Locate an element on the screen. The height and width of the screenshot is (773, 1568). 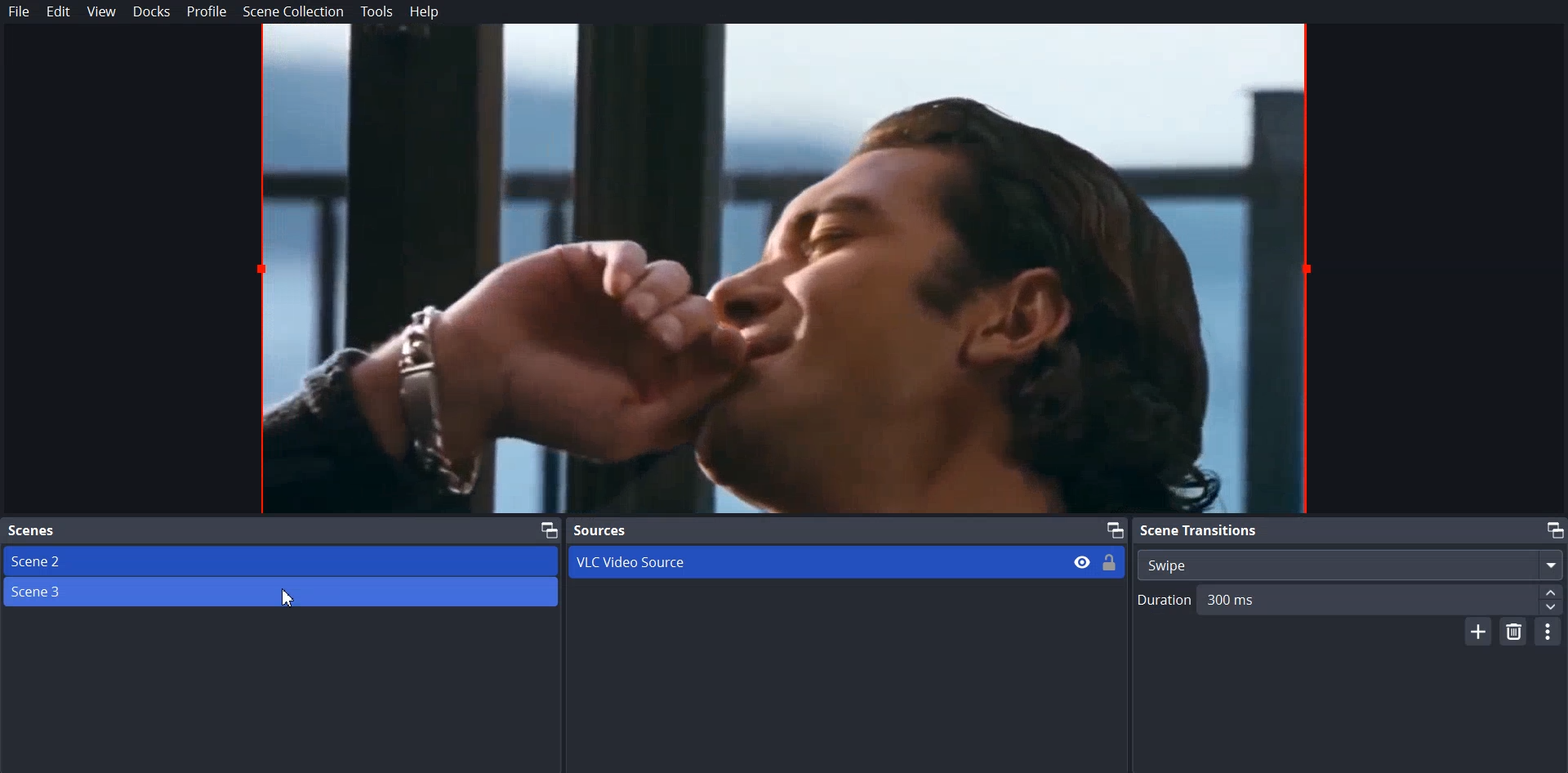
Profile is located at coordinates (206, 12).